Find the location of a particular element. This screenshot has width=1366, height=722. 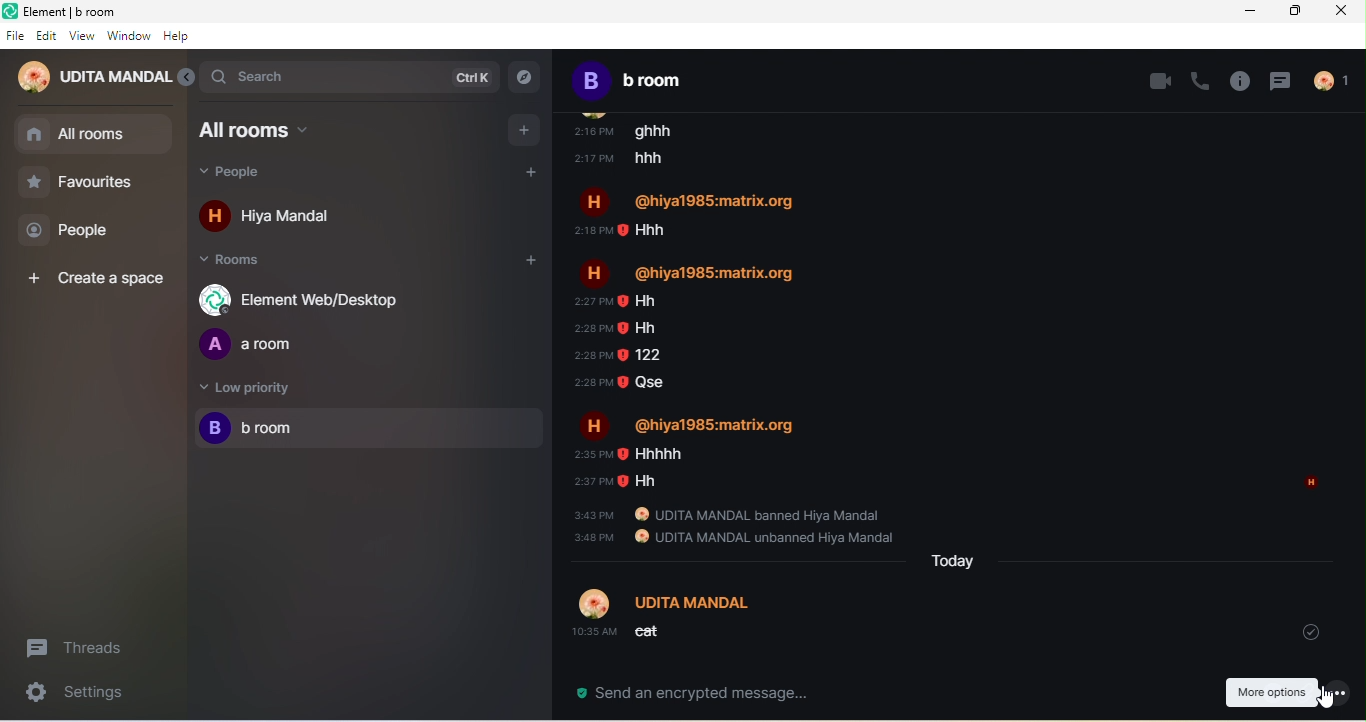

collapse is located at coordinates (187, 80).